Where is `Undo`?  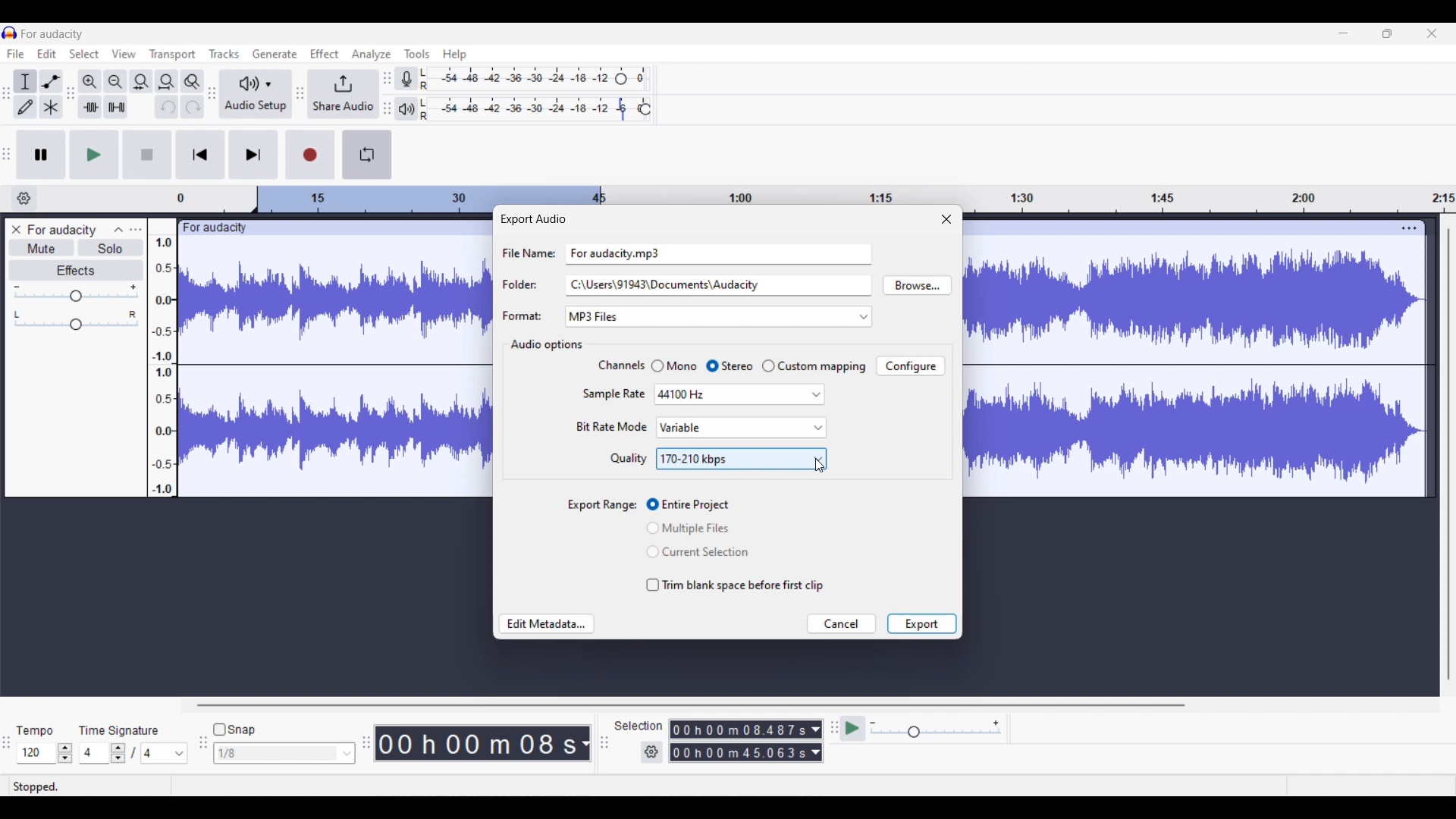 Undo is located at coordinates (167, 107).